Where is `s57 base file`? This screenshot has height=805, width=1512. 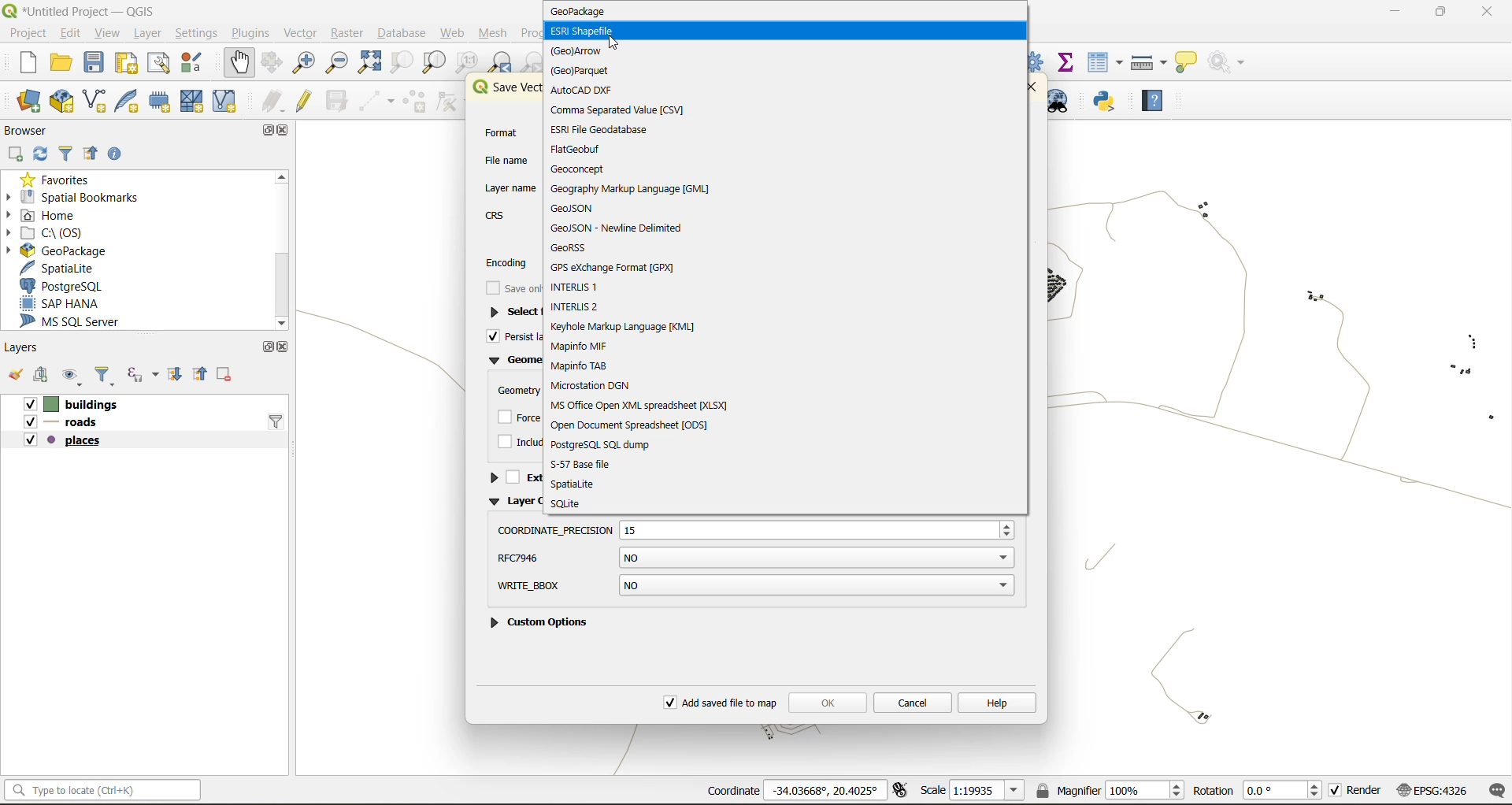
s57 base file is located at coordinates (582, 463).